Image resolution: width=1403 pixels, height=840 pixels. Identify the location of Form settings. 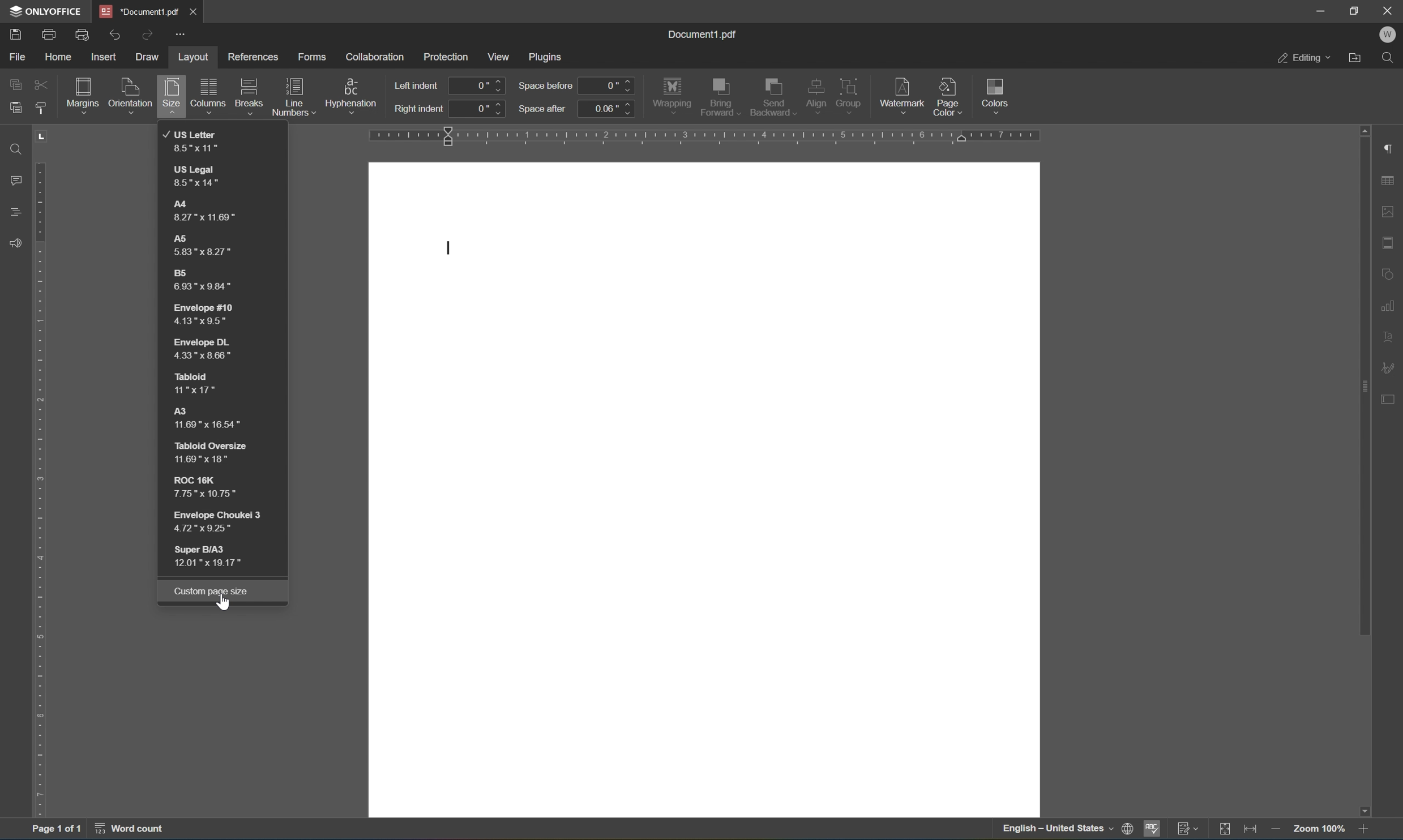
(1388, 397).